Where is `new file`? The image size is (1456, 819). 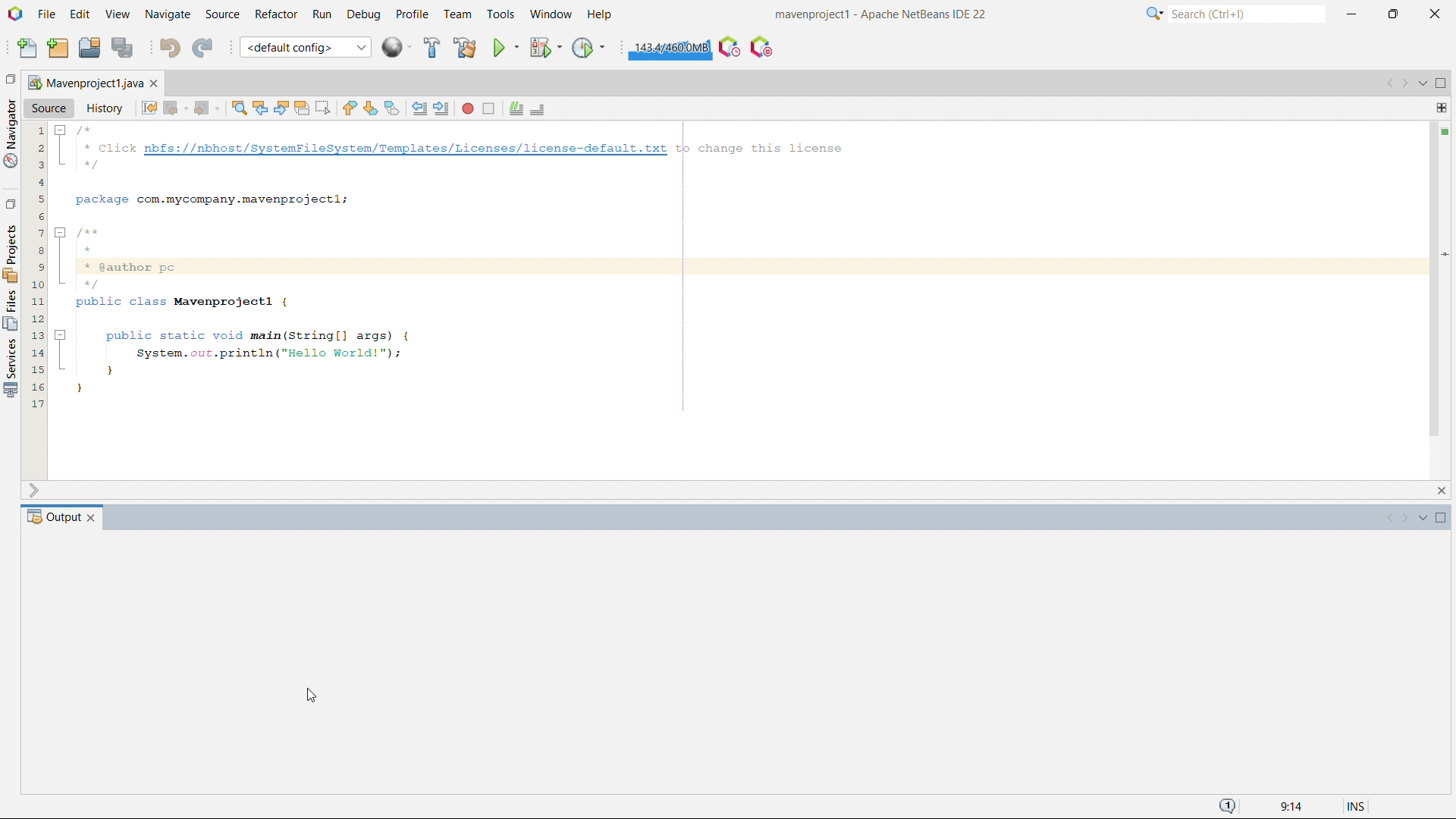
new file is located at coordinates (28, 46).